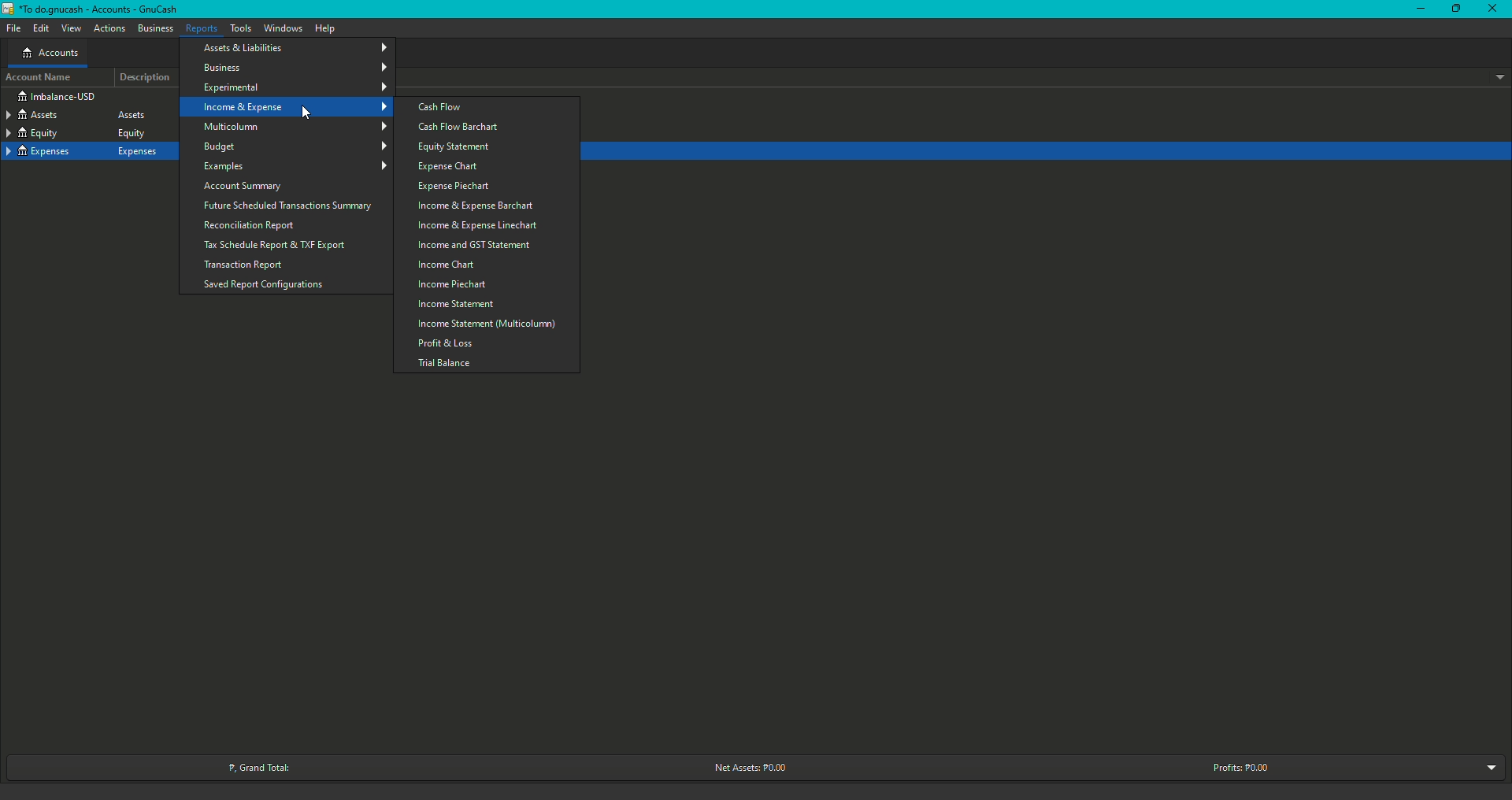  What do you see at coordinates (465, 128) in the screenshot?
I see `Cash Flow Barchart` at bounding box center [465, 128].